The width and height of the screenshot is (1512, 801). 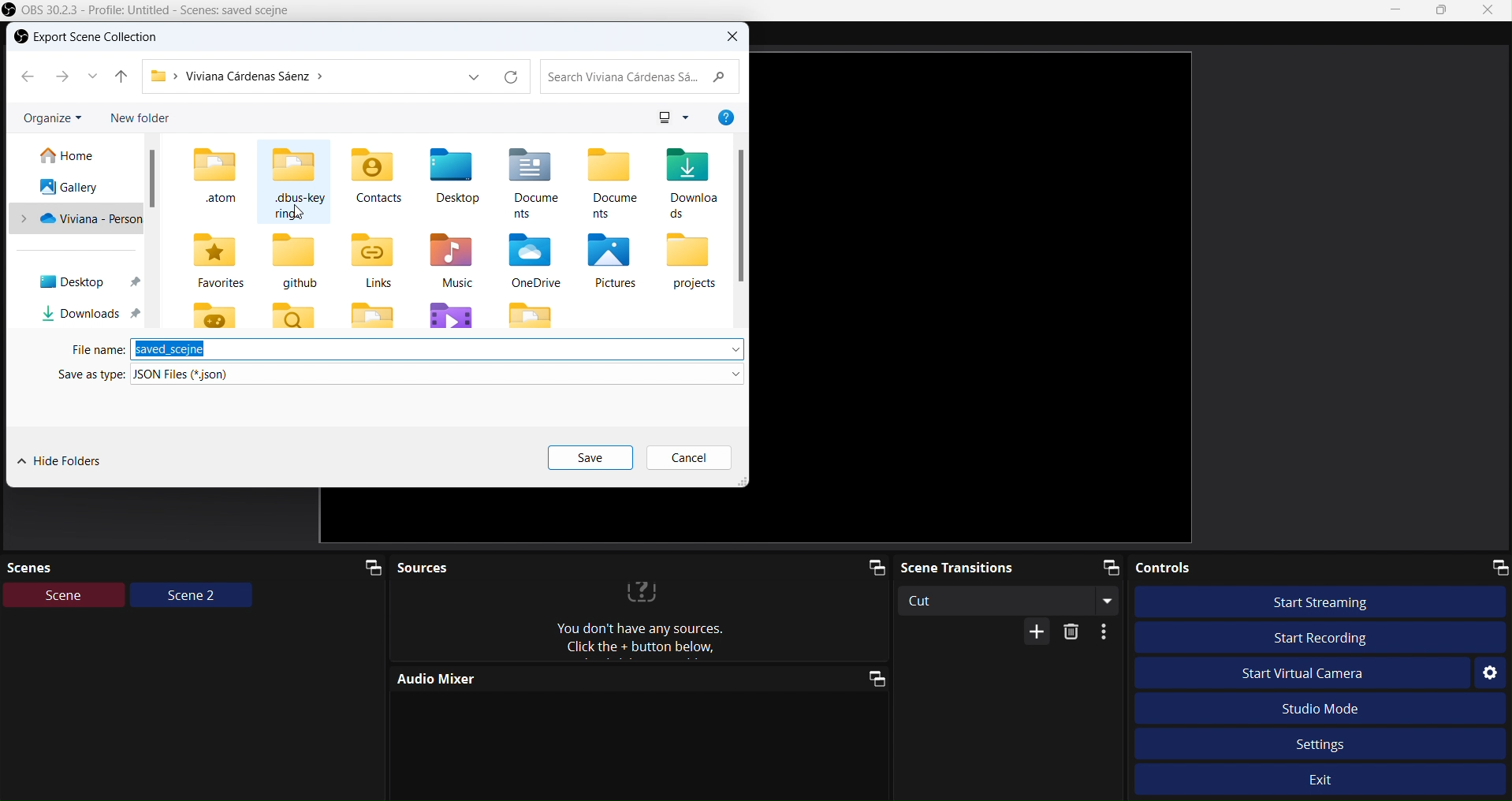 I want to click on Refresh, so click(x=511, y=77).